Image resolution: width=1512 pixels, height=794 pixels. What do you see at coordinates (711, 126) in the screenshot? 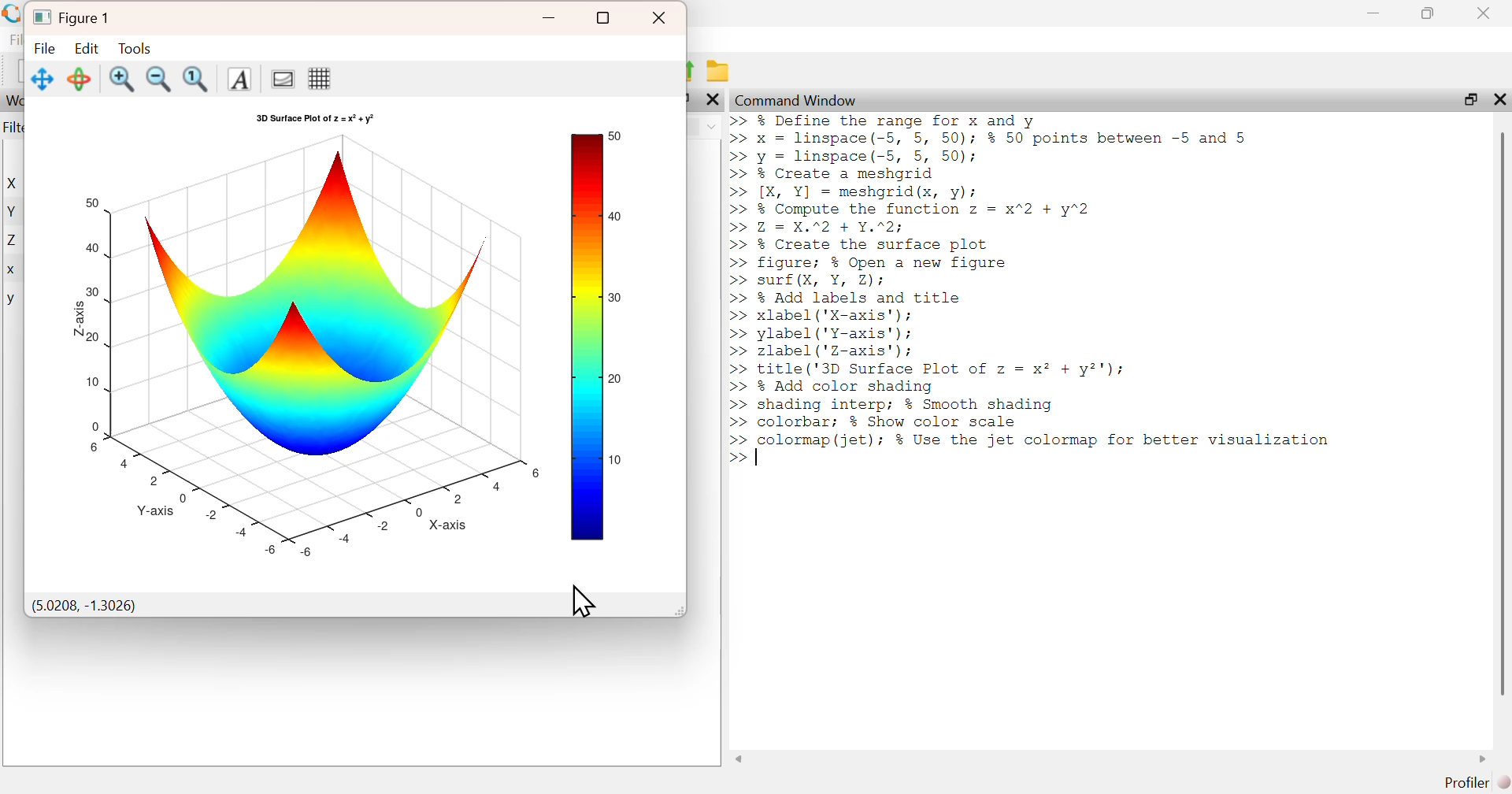
I see `dropdown` at bounding box center [711, 126].